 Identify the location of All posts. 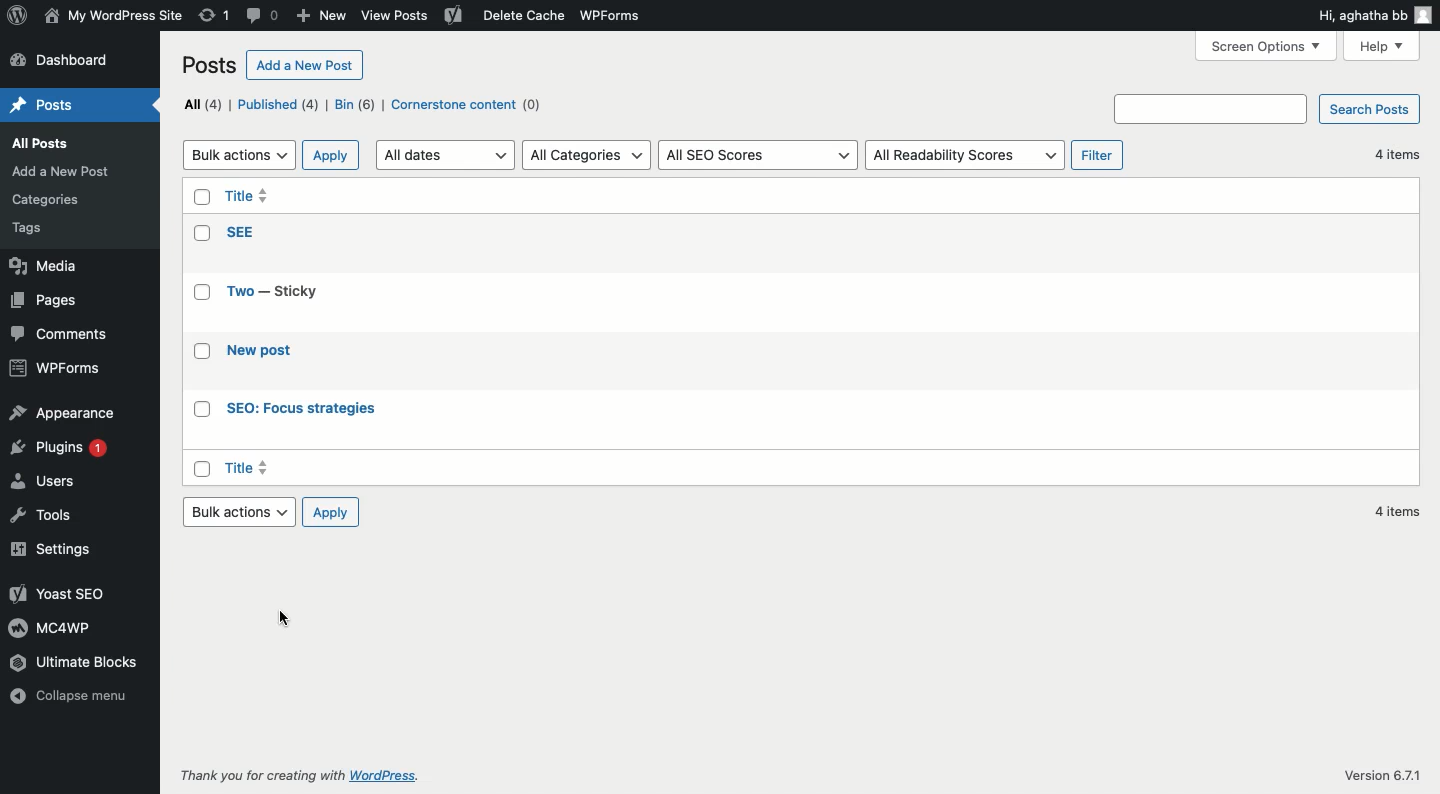
(56, 145).